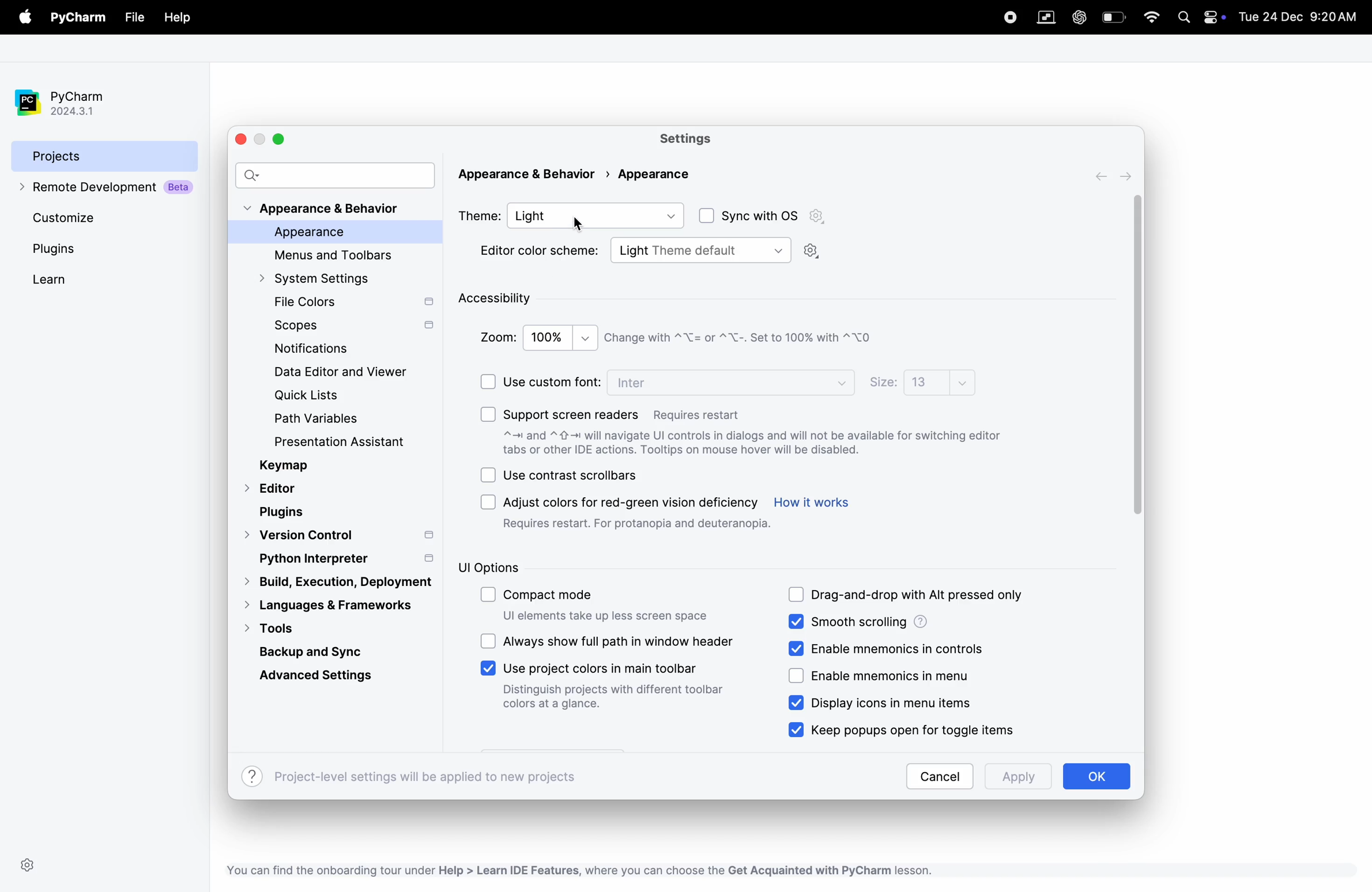 The height and width of the screenshot is (892, 1372). Describe the element at coordinates (913, 622) in the screenshot. I see `smooth scrolloing` at that location.